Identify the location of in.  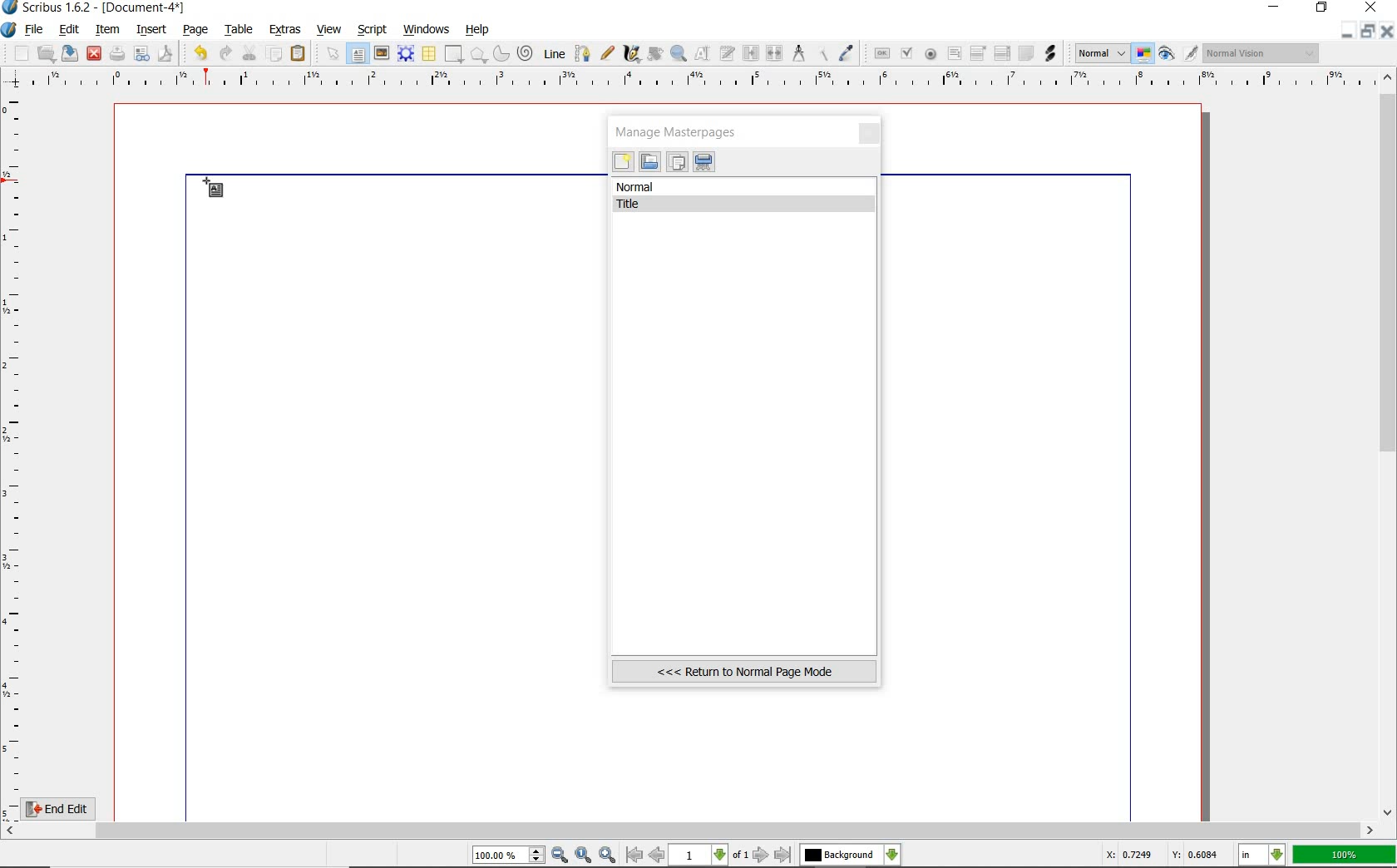
(1262, 856).